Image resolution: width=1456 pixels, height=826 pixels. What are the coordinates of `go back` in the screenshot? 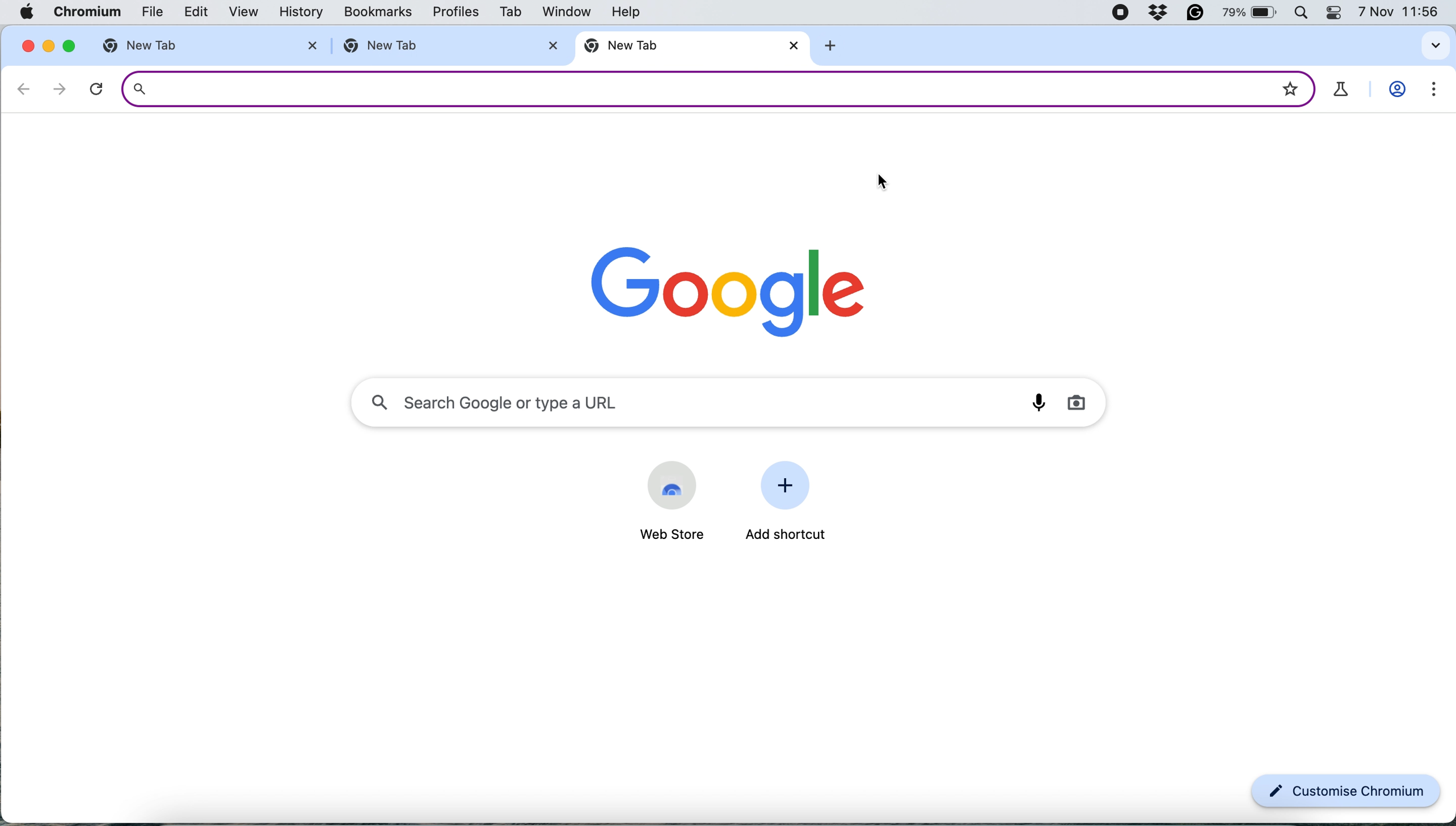 It's located at (24, 88).